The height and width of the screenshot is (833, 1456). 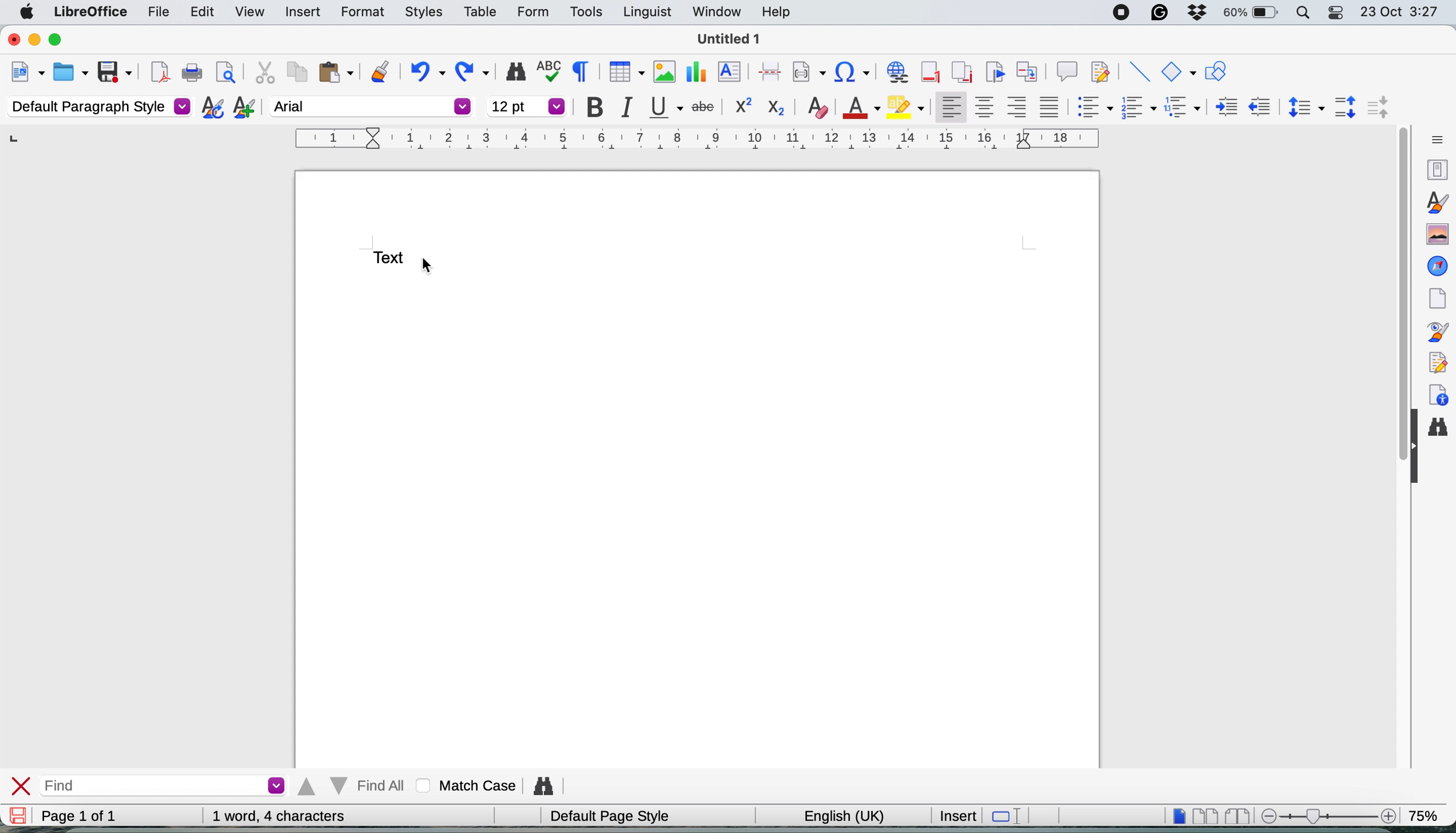 I want to click on match case, so click(x=463, y=786).